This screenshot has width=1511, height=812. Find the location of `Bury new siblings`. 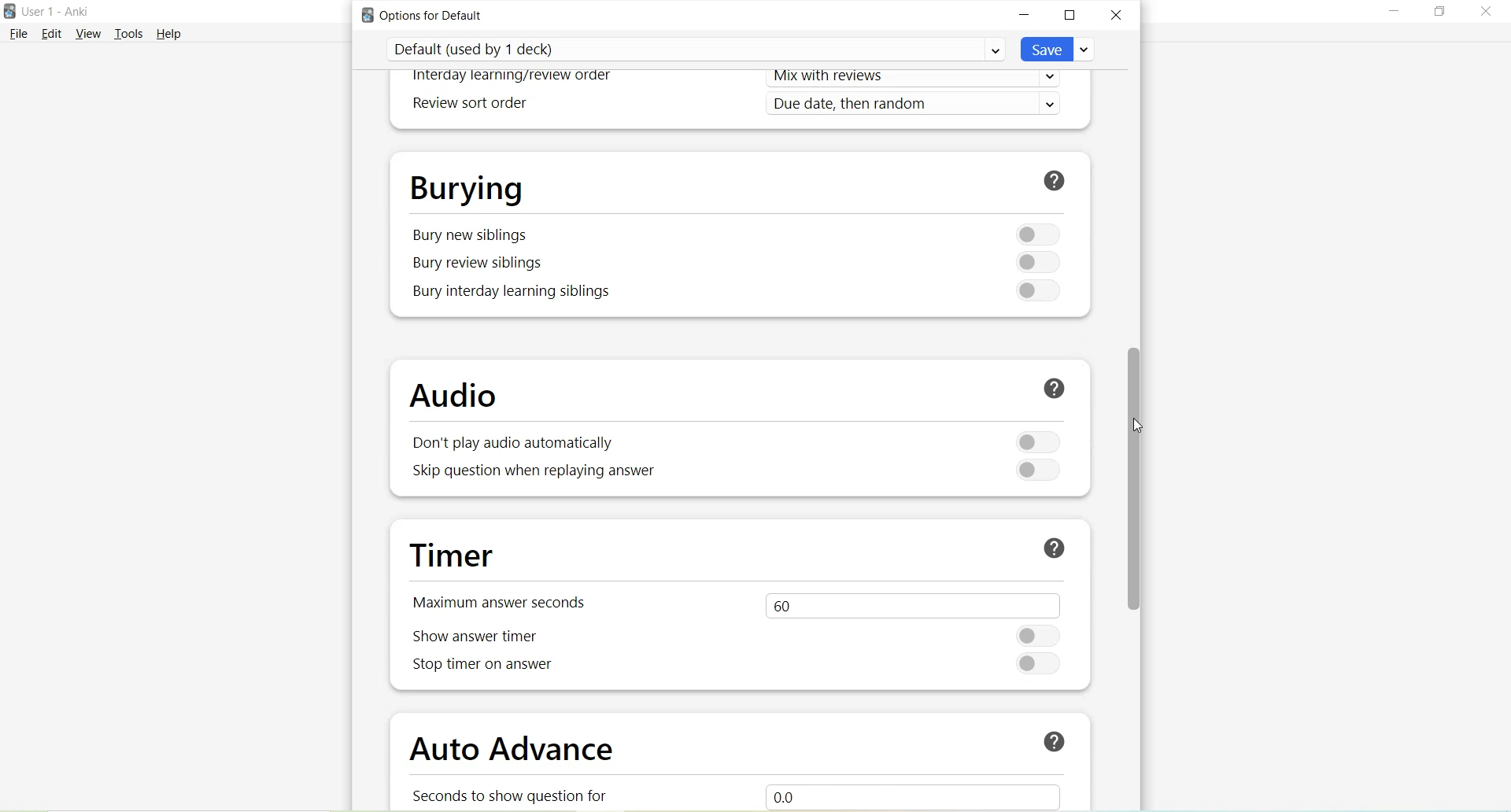

Bury new siblings is located at coordinates (471, 235).